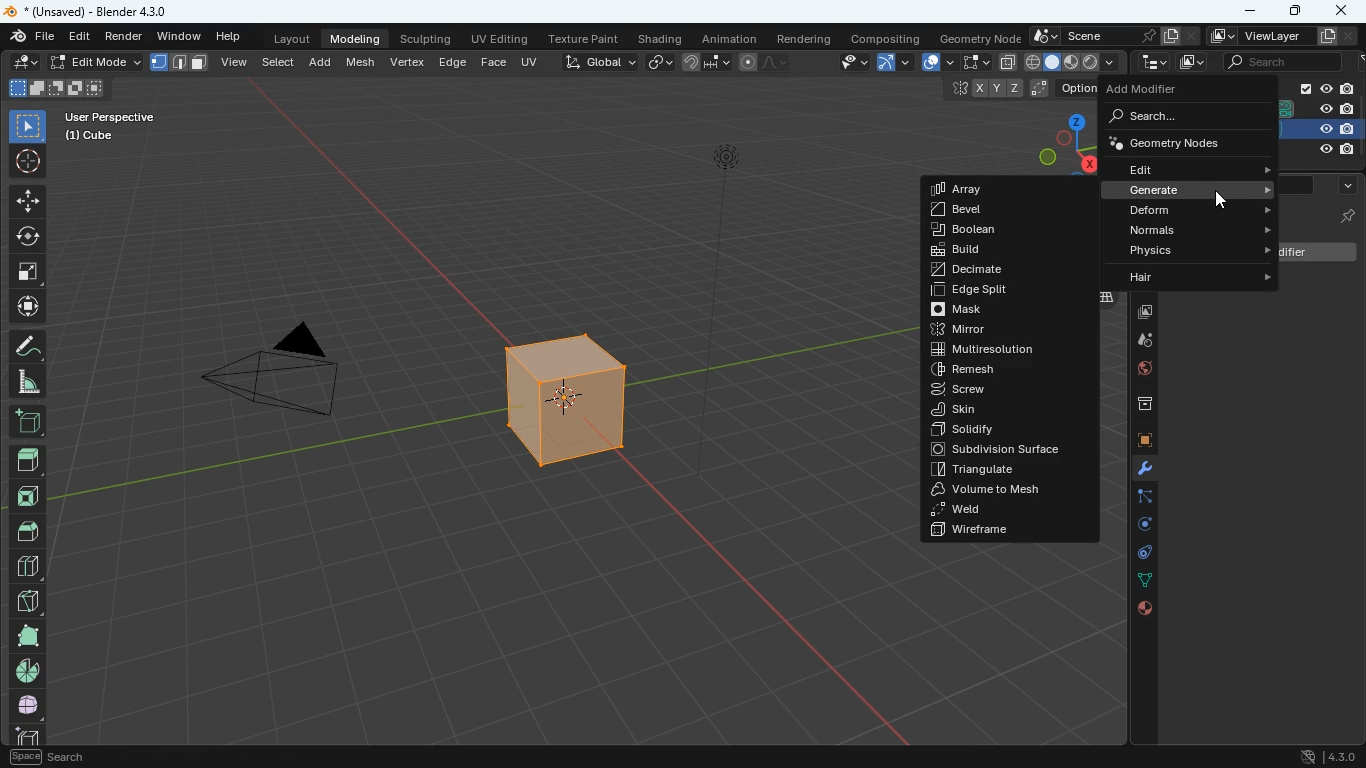  Describe the element at coordinates (124, 37) in the screenshot. I see `render` at that location.